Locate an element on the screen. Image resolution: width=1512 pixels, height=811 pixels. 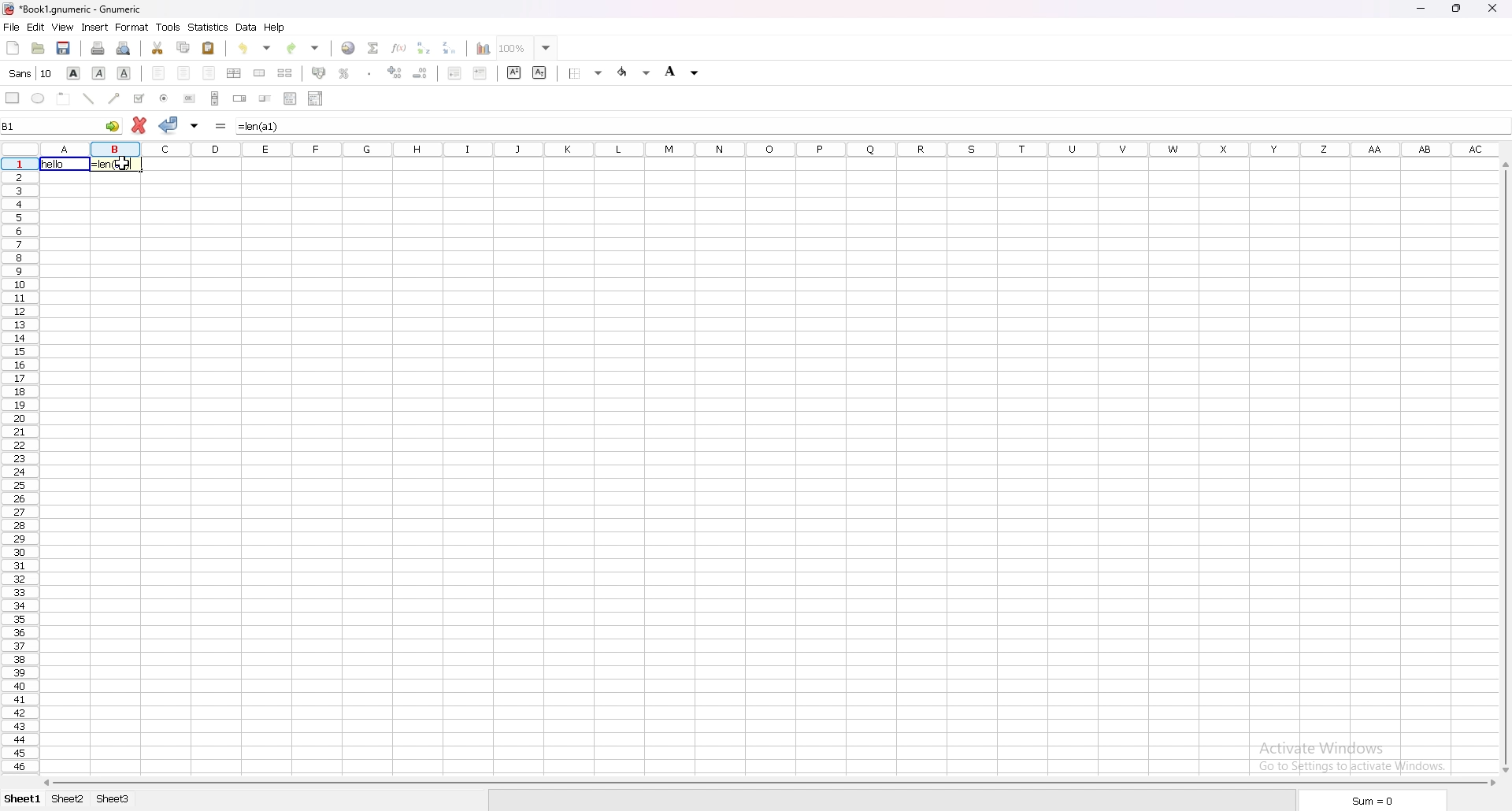
new is located at coordinates (13, 48).